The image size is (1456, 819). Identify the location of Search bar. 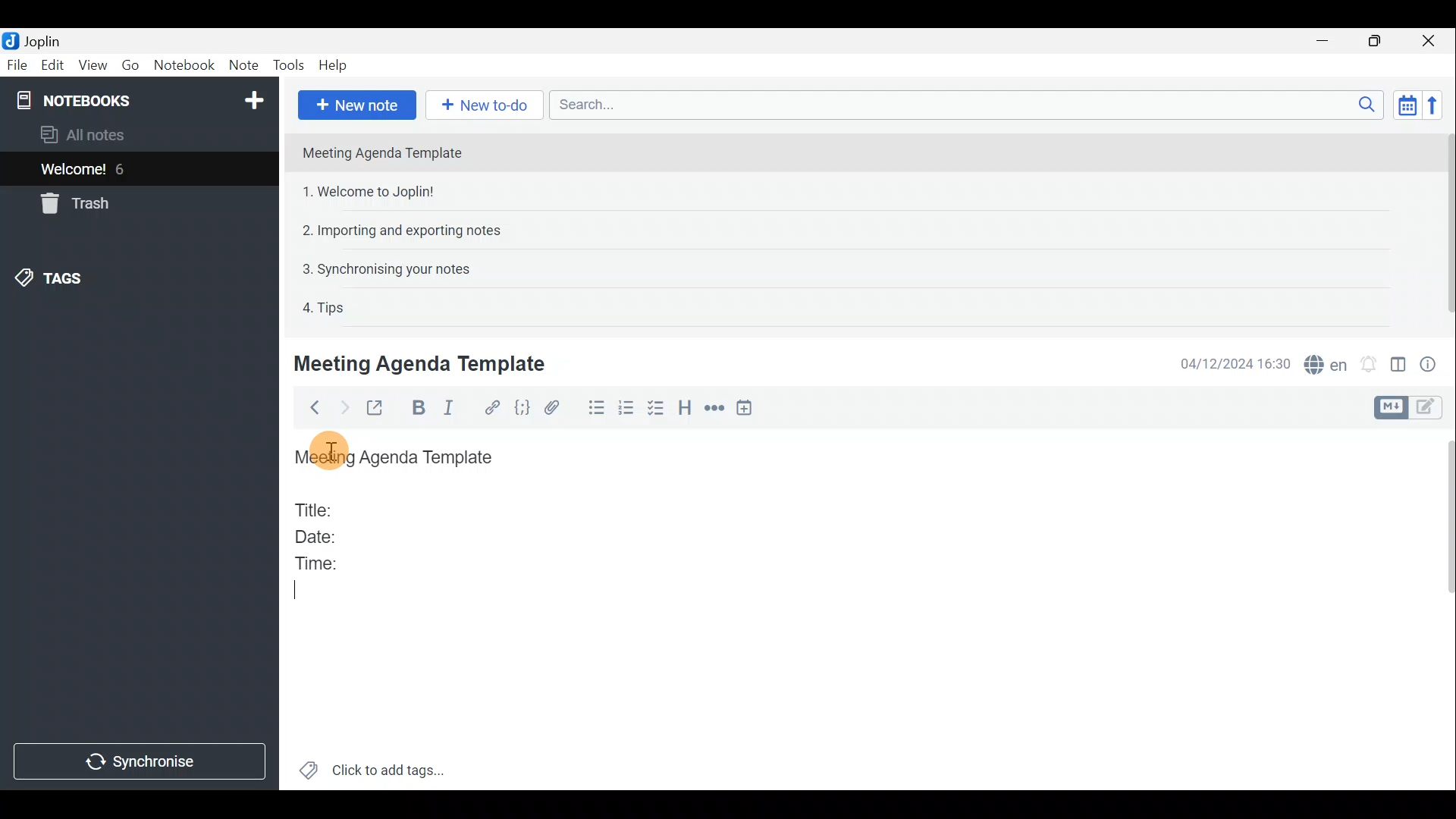
(962, 104).